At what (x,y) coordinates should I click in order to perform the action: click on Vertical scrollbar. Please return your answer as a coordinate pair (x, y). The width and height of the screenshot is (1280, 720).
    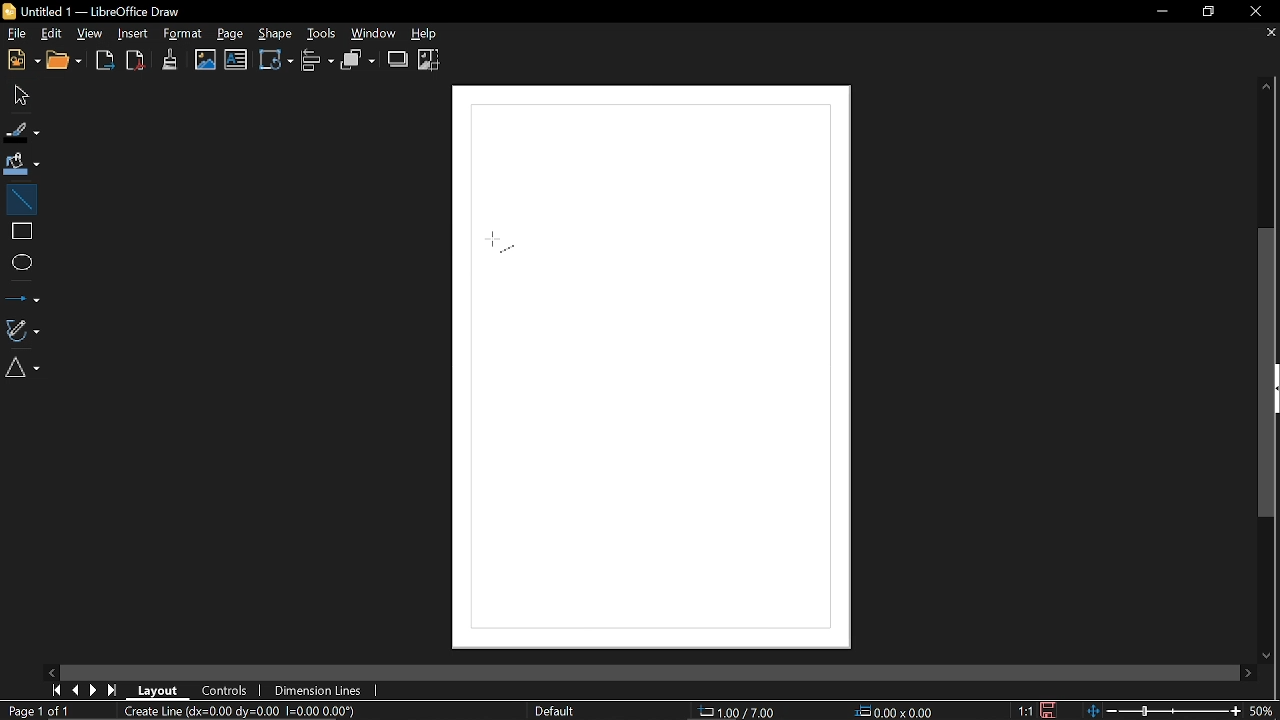
    Looking at the image, I should click on (1270, 372).